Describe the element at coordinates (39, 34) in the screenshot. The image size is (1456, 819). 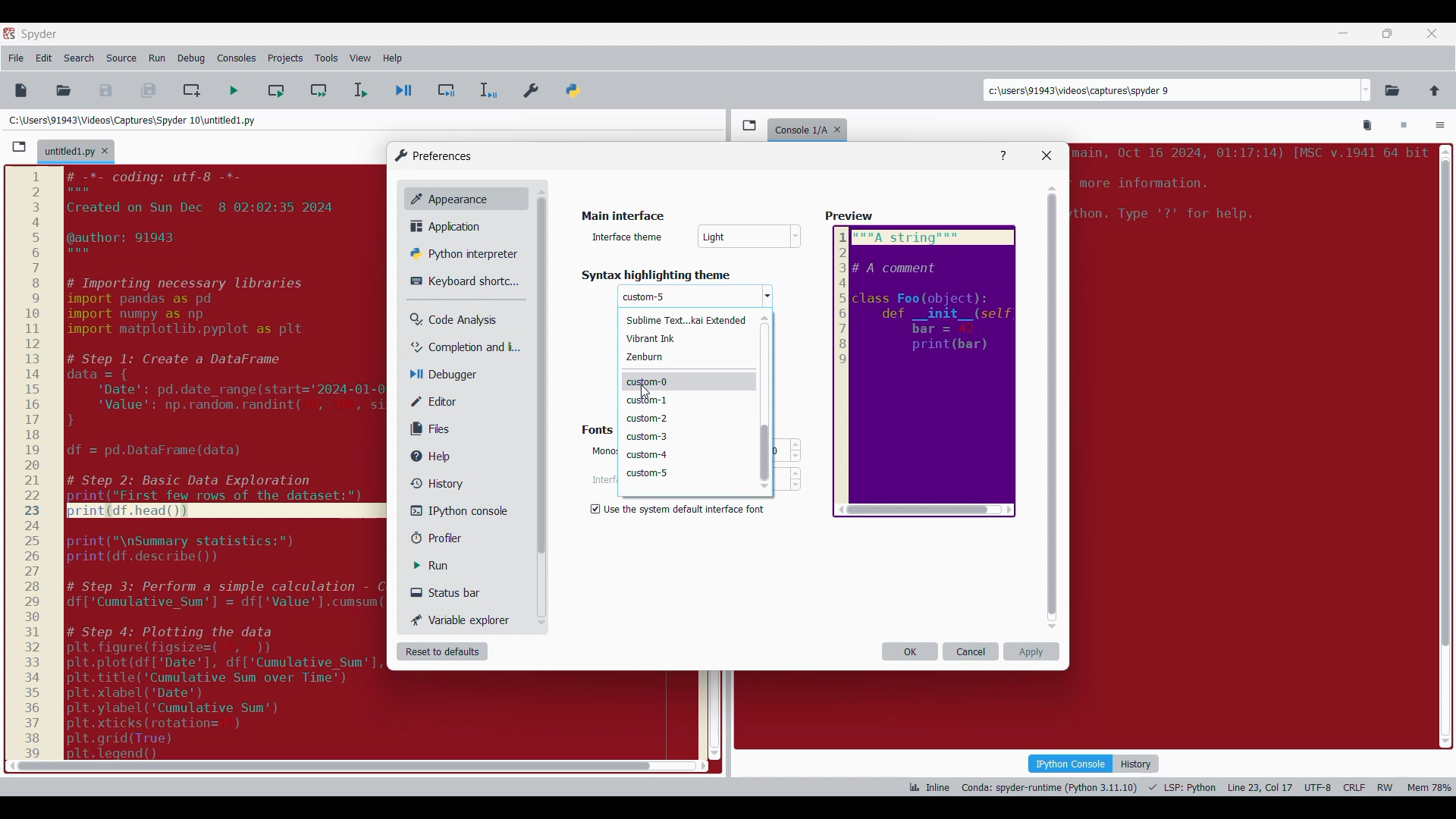
I see `Software name` at that location.